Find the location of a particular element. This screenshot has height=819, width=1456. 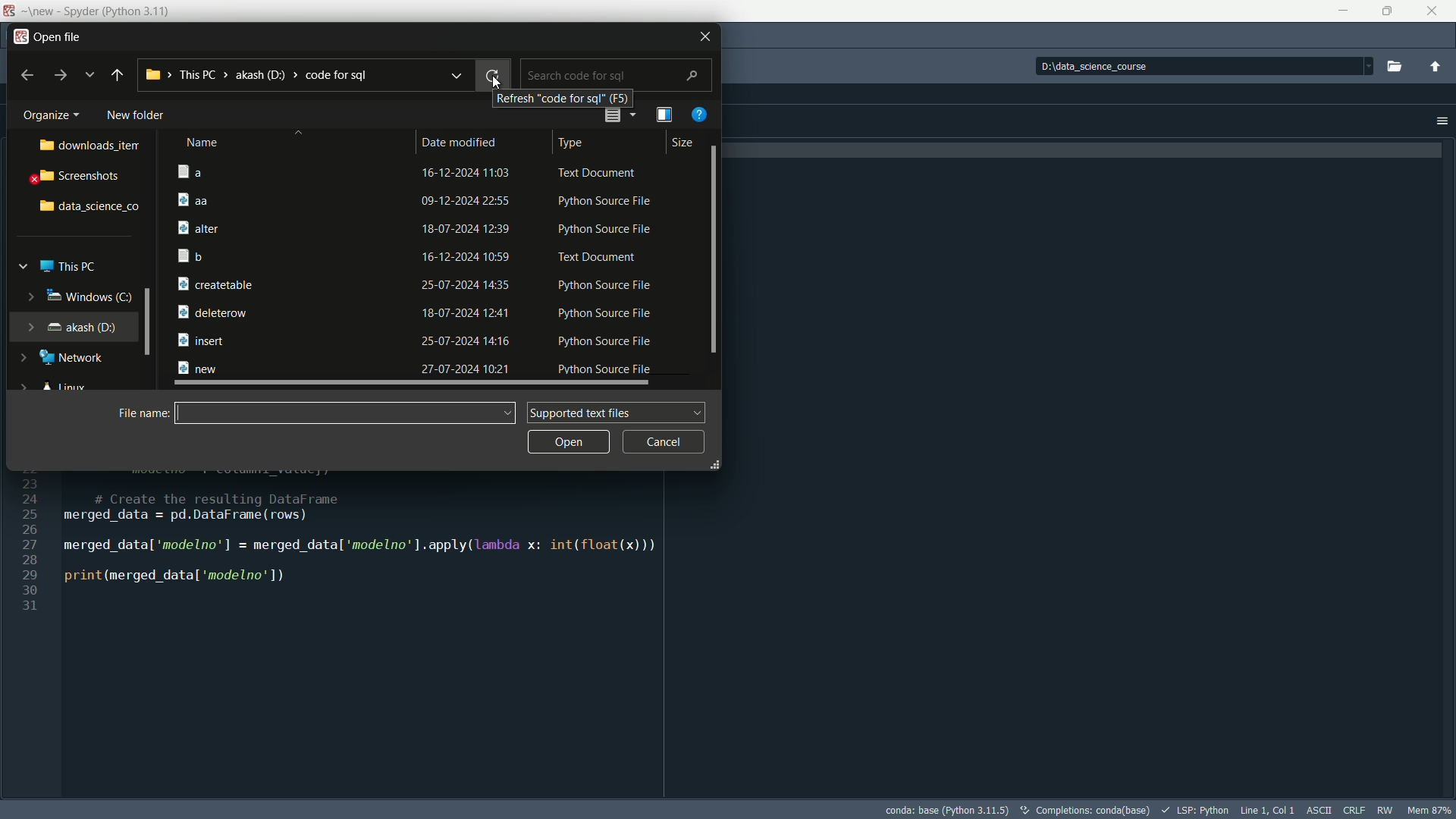

file-4 is located at coordinates (417, 257).